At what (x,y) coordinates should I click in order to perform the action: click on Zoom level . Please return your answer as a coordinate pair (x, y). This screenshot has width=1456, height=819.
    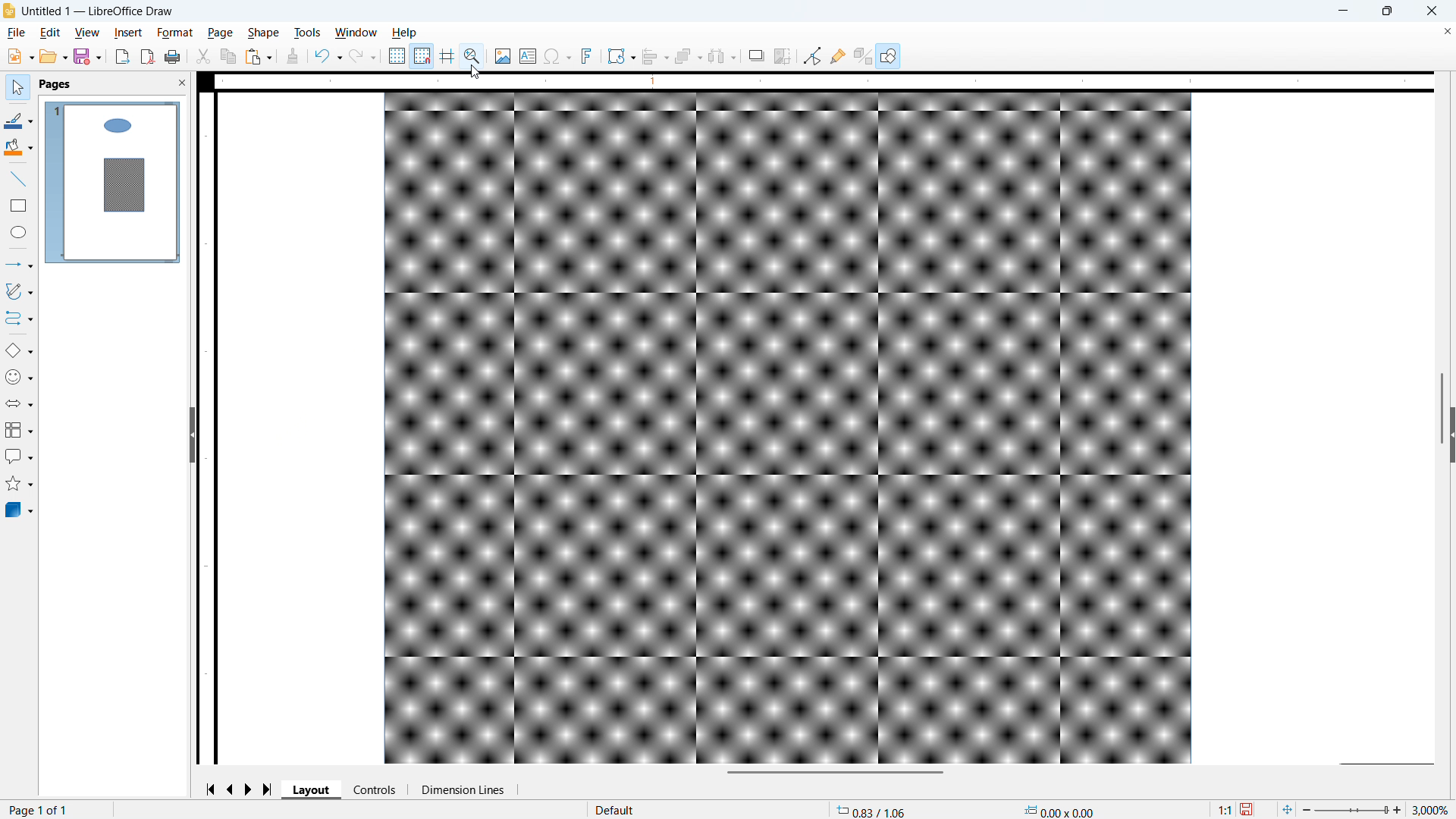
    Looking at the image, I should click on (1433, 809).